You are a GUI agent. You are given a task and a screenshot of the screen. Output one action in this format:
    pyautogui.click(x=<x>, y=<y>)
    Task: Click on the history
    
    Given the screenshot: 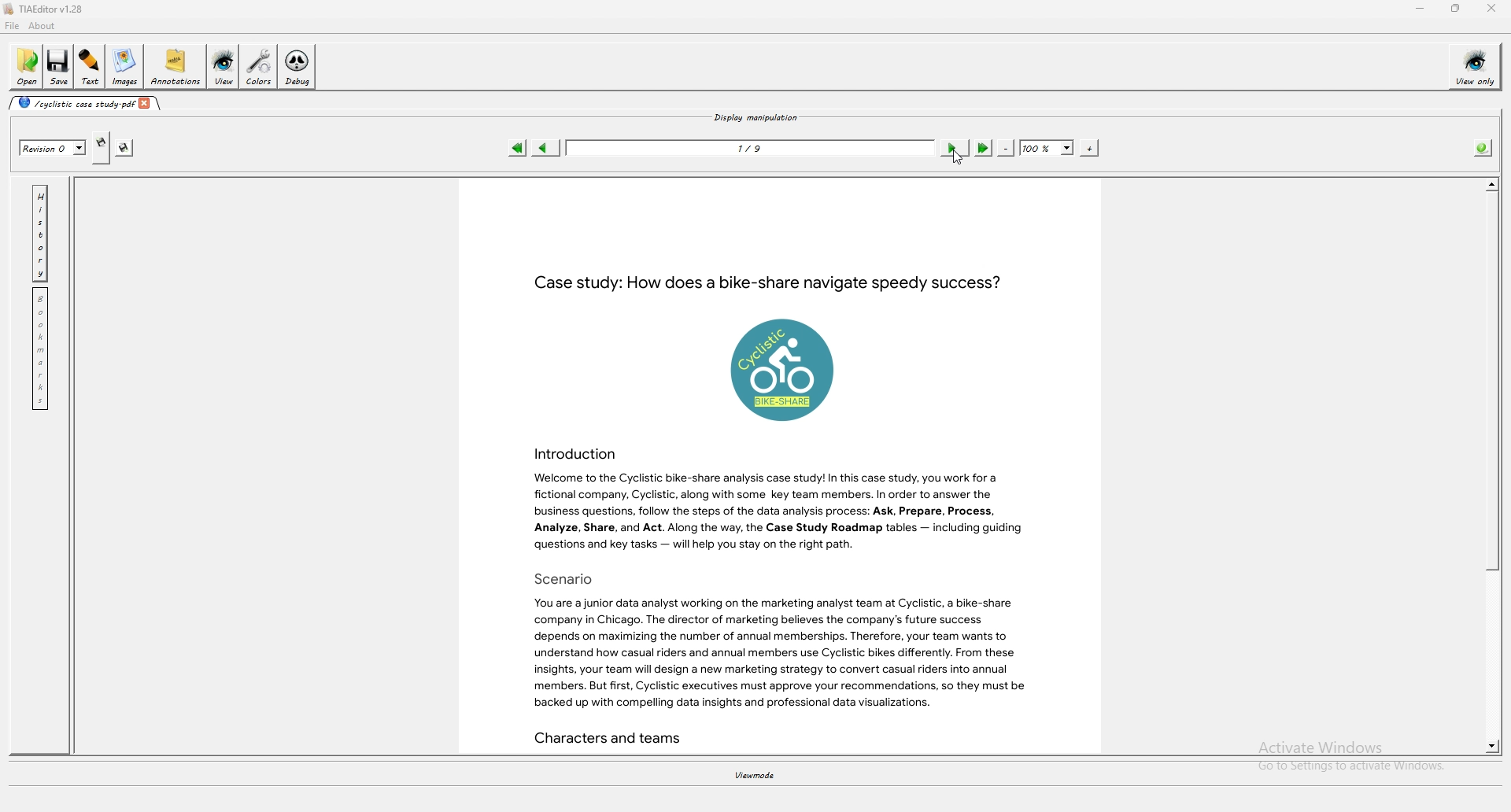 What is the action you would take?
    pyautogui.click(x=42, y=232)
    